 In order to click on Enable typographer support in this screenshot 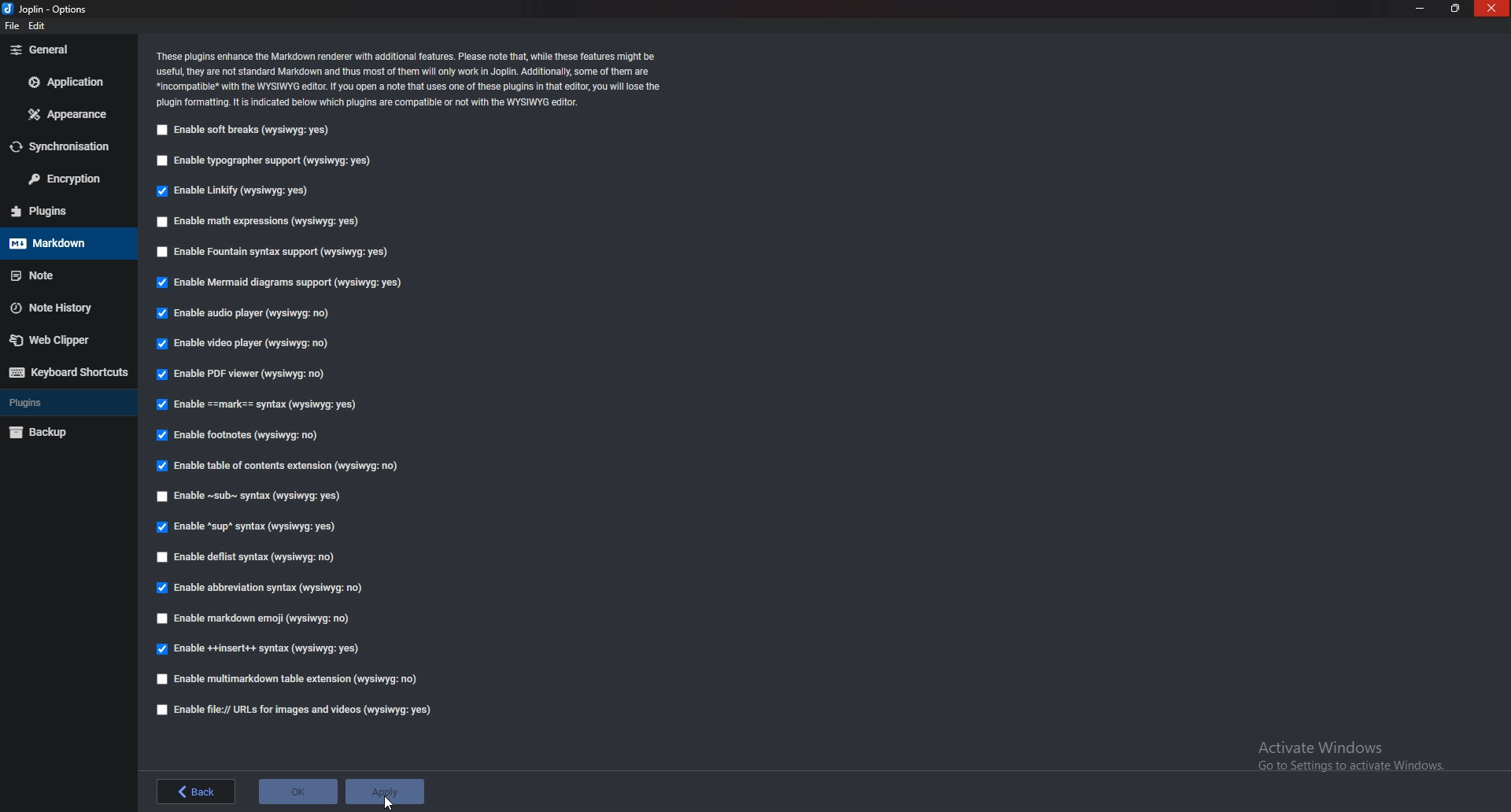, I will do `click(269, 160)`.